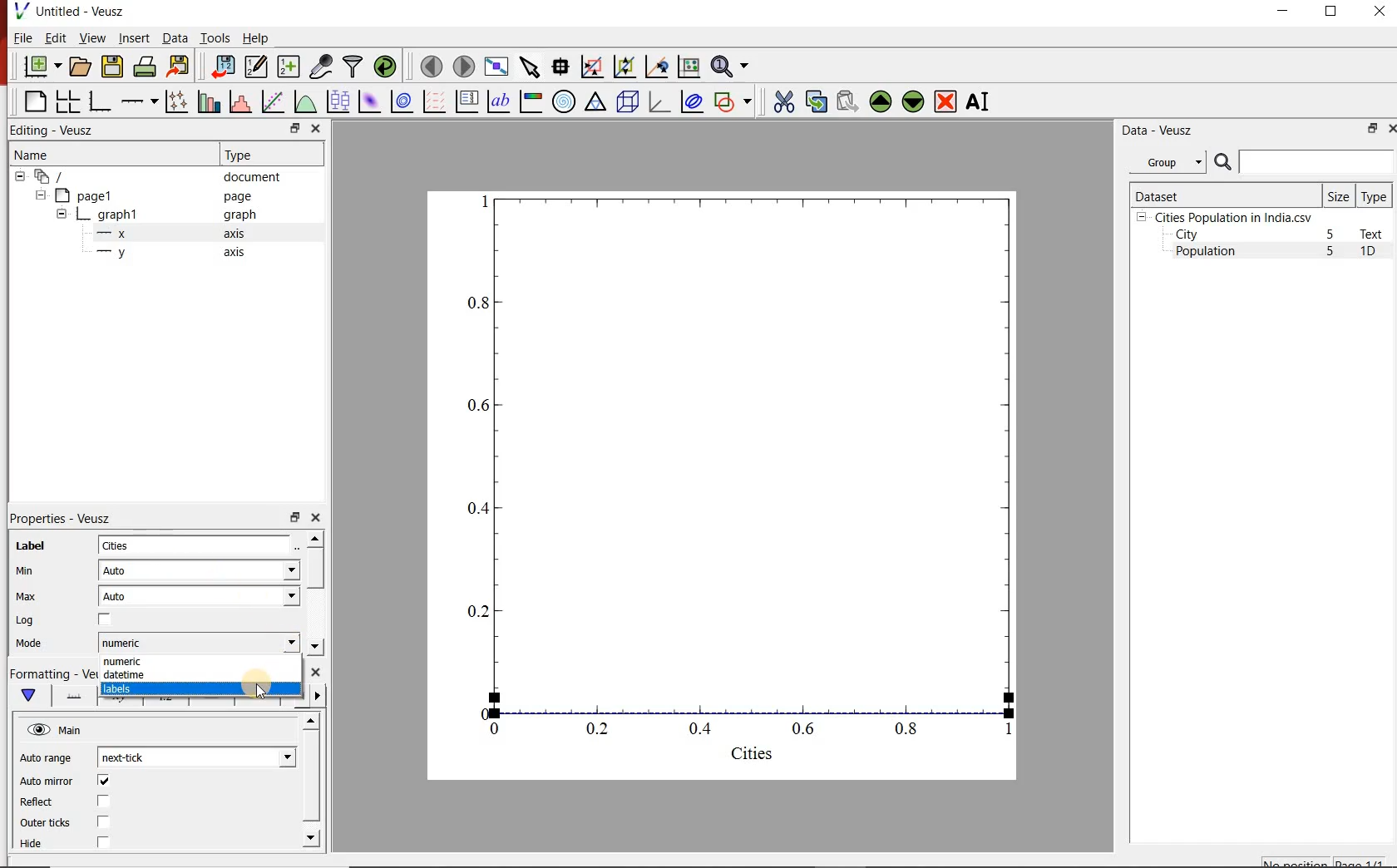  What do you see at coordinates (139, 99) in the screenshot?
I see `Add an axis to the plot` at bounding box center [139, 99].